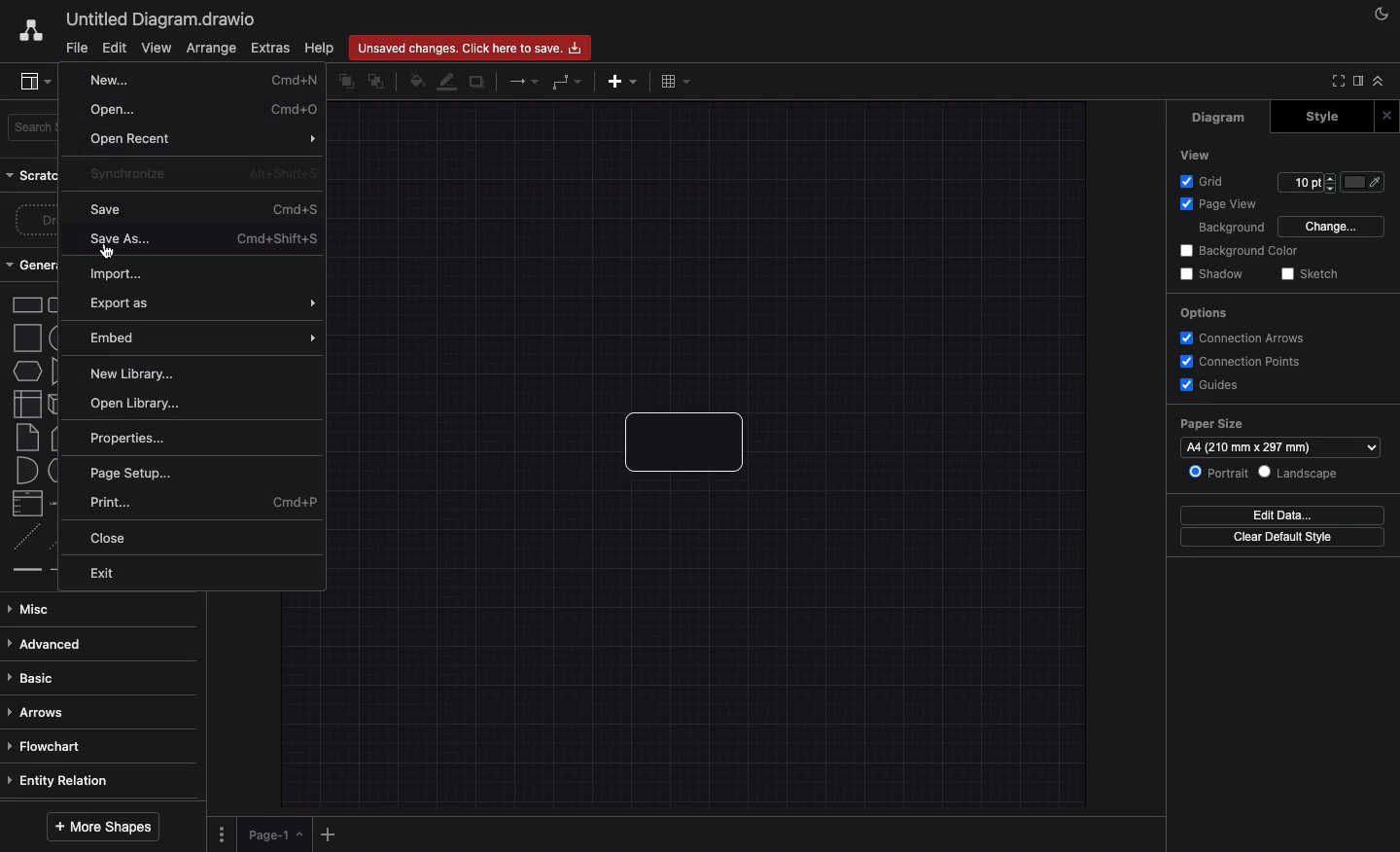 The width and height of the screenshot is (1400, 852). What do you see at coordinates (223, 834) in the screenshot?
I see `Options` at bounding box center [223, 834].